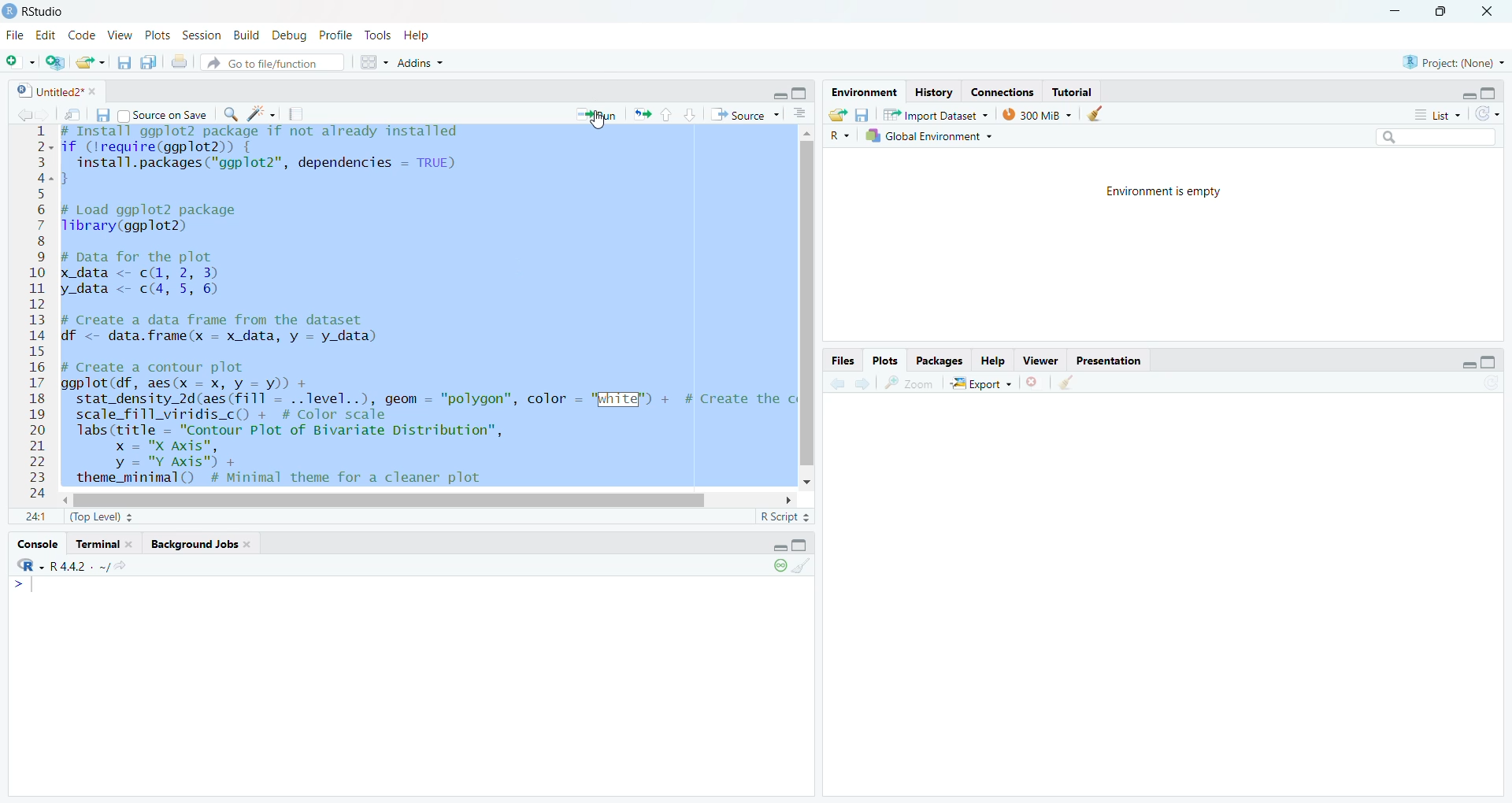 The height and width of the screenshot is (803, 1512). I want to click on save current document, so click(124, 62).